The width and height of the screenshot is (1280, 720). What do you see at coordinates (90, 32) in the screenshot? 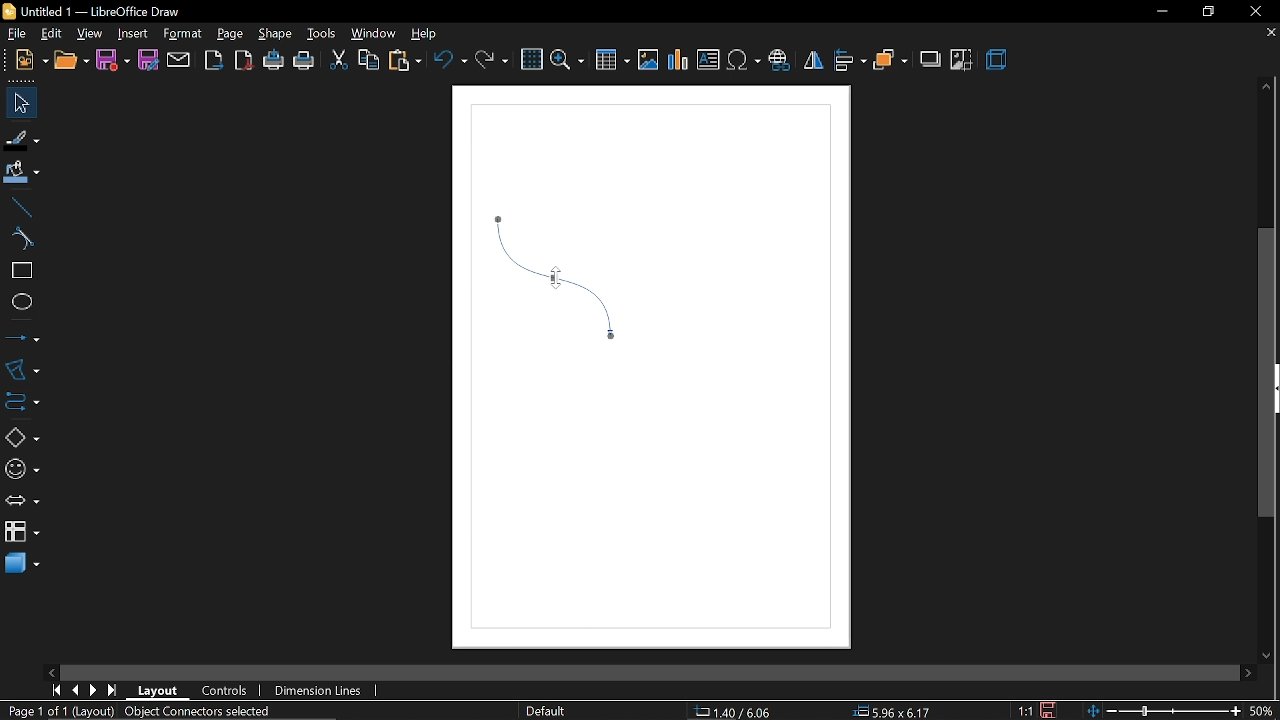
I see `view` at bounding box center [90, 32].